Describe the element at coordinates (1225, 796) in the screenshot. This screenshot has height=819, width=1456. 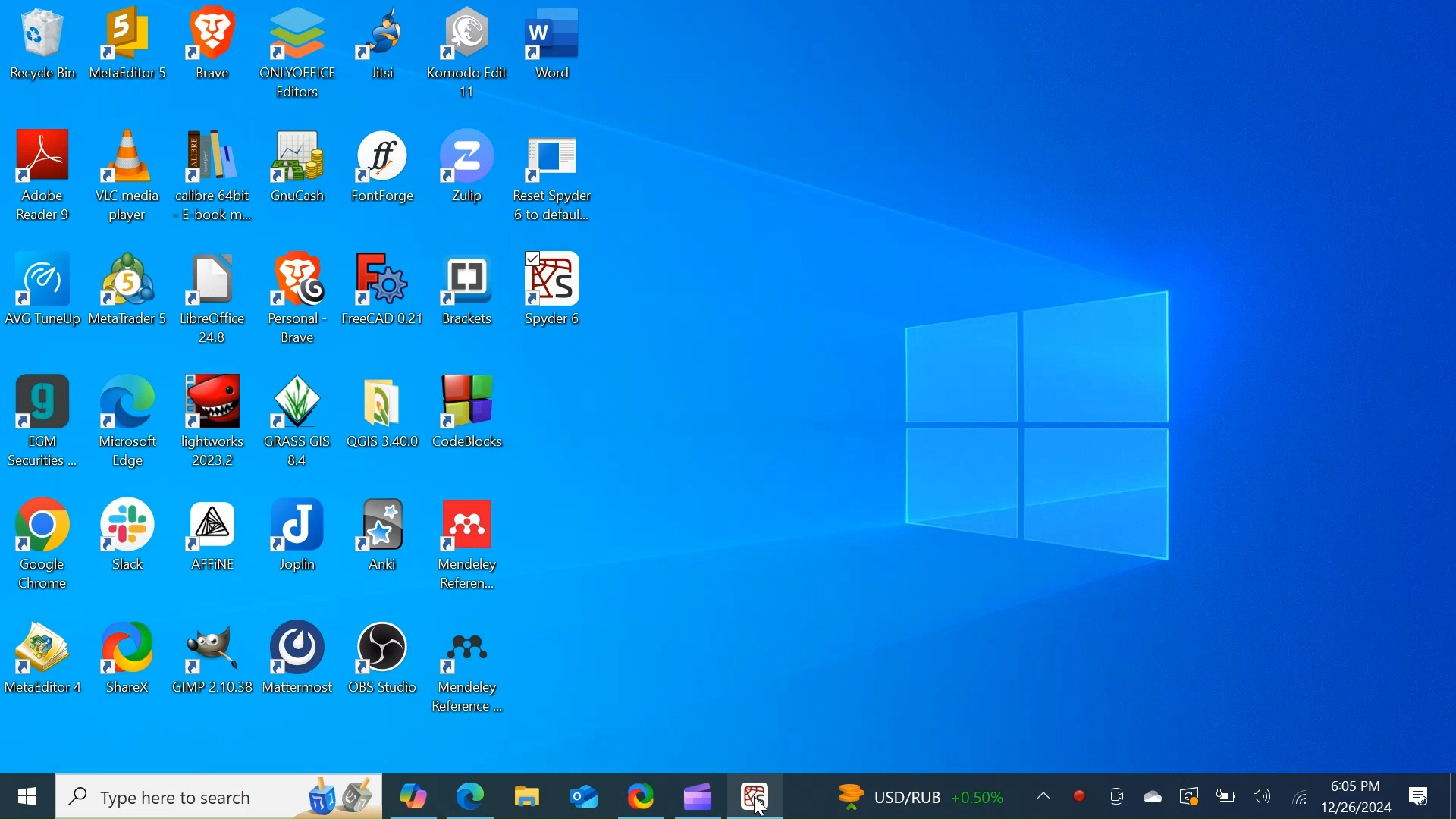
I see `Charge` at that location.